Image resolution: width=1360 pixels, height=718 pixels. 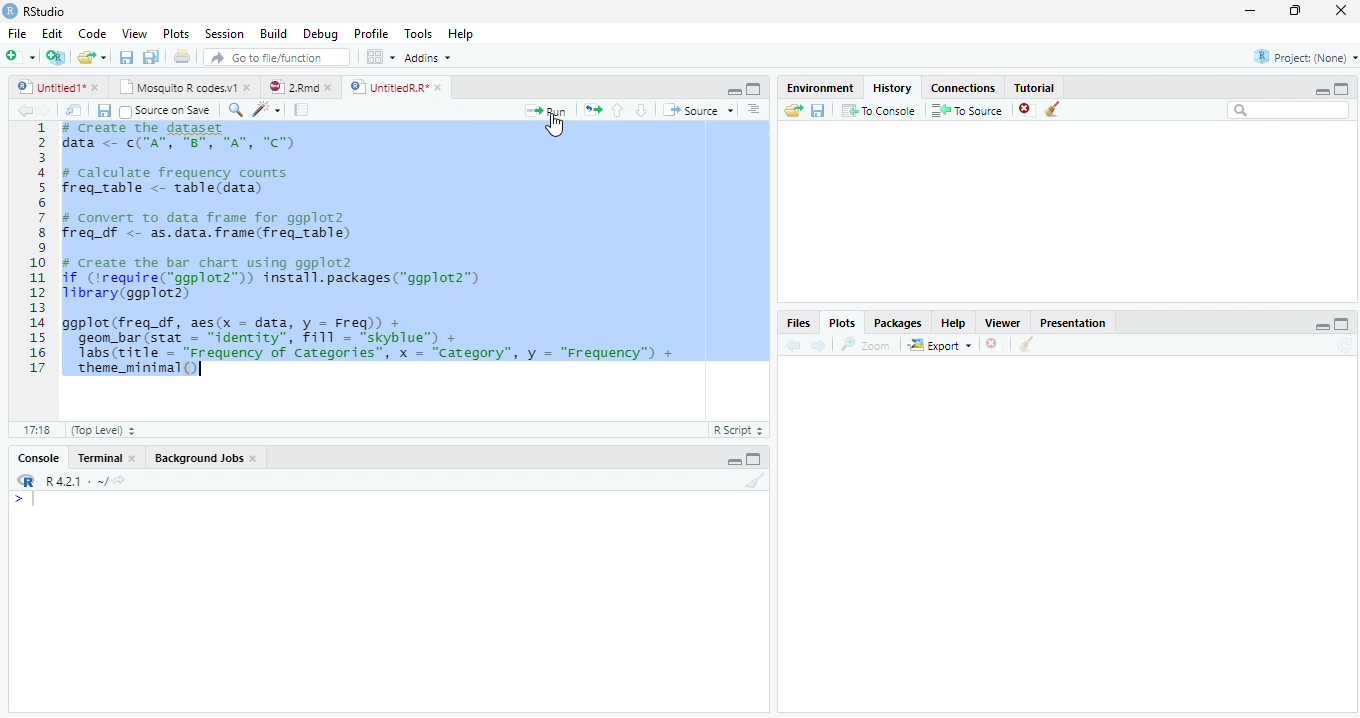 I want to click on Connections, so click(x=961, y=88).